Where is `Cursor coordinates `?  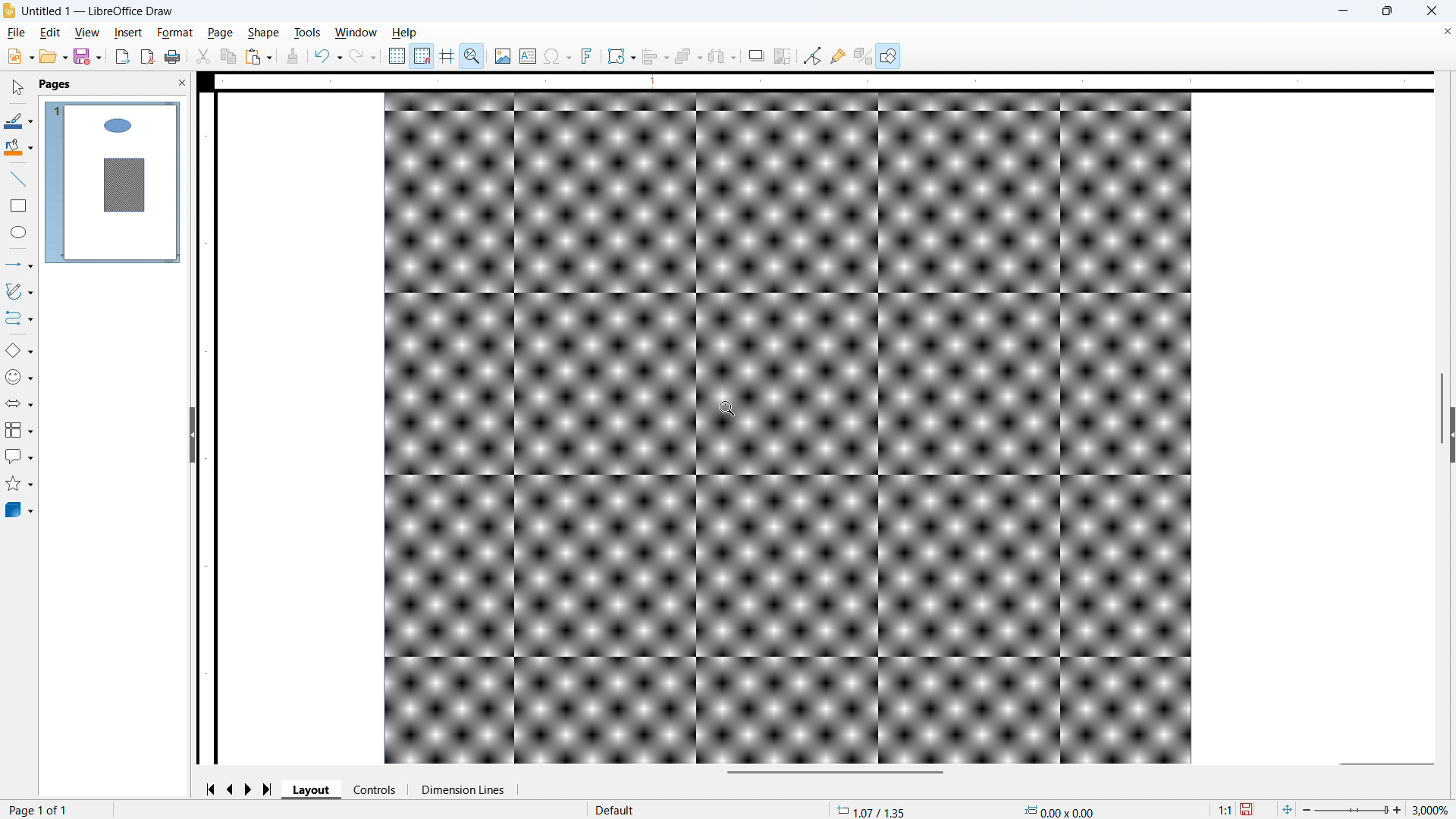 Cursor coordinates  is located at coordinates (872, 810).